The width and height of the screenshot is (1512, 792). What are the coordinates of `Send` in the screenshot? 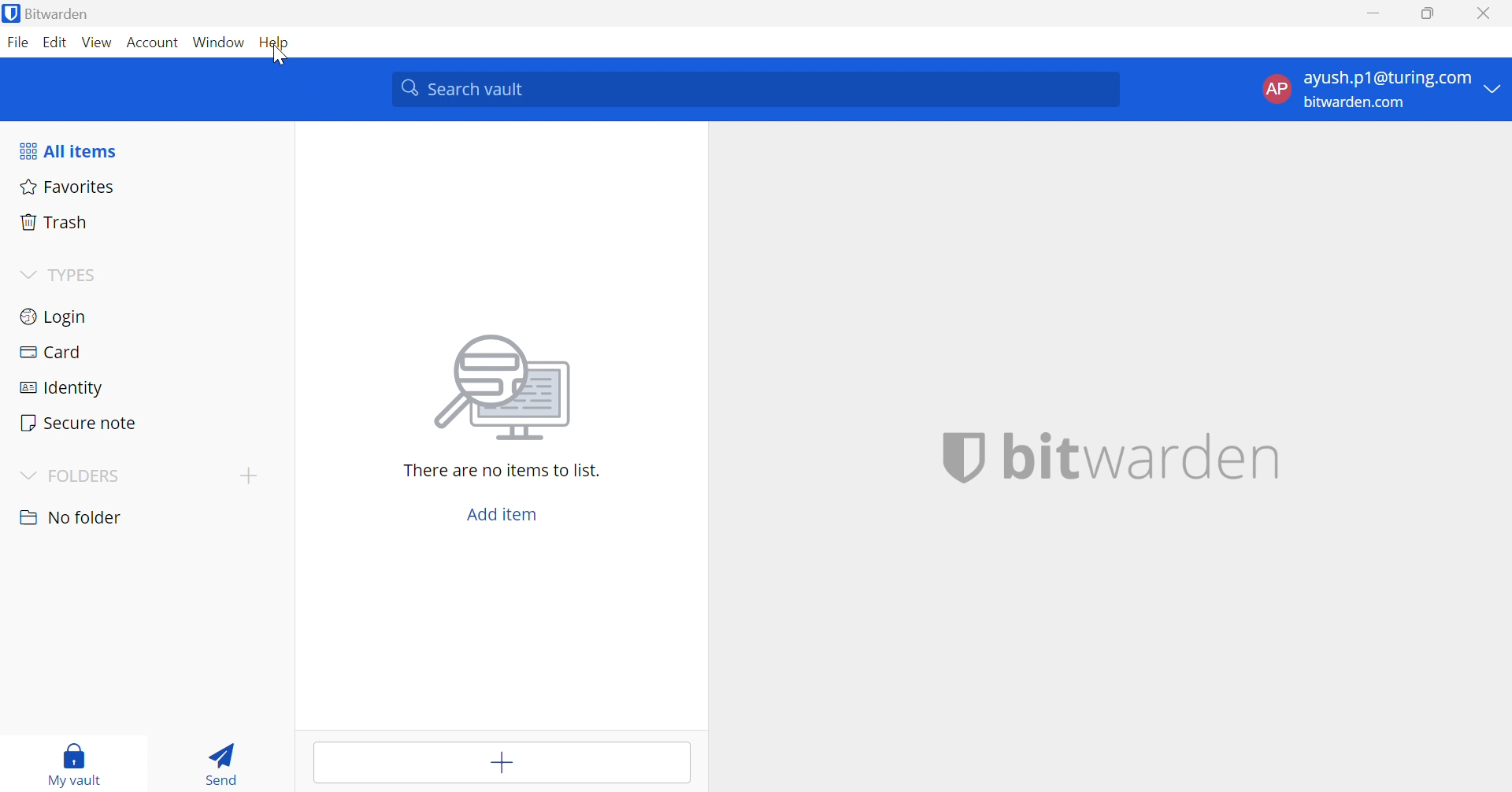 It's located at (225, 761).